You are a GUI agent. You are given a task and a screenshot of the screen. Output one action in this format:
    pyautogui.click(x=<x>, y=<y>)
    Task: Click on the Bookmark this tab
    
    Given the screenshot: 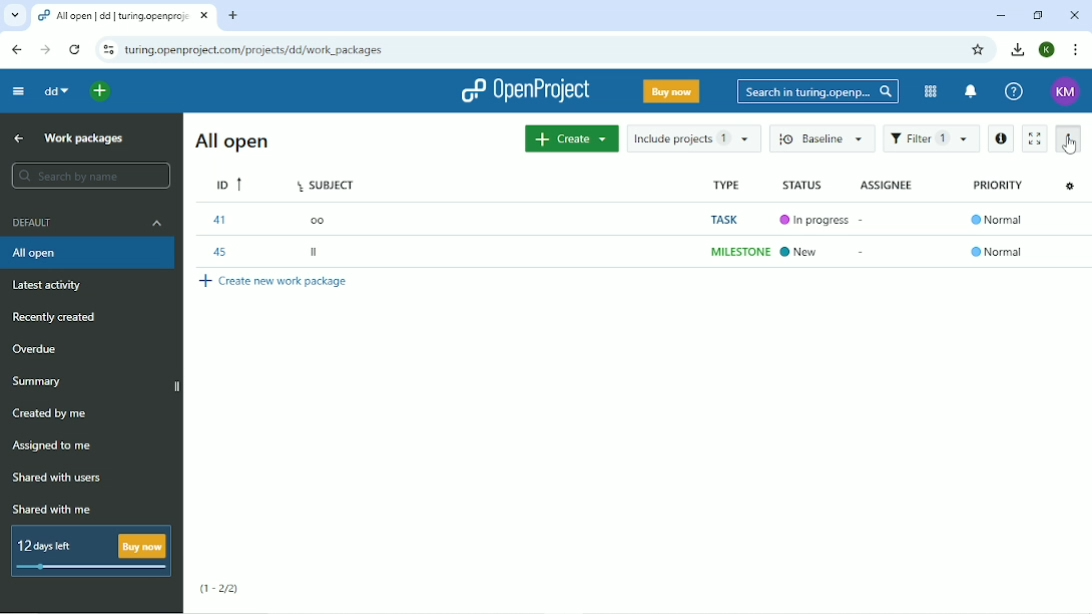 What is the action you would take?
    pyautogui.click(x=981, y=49)
    